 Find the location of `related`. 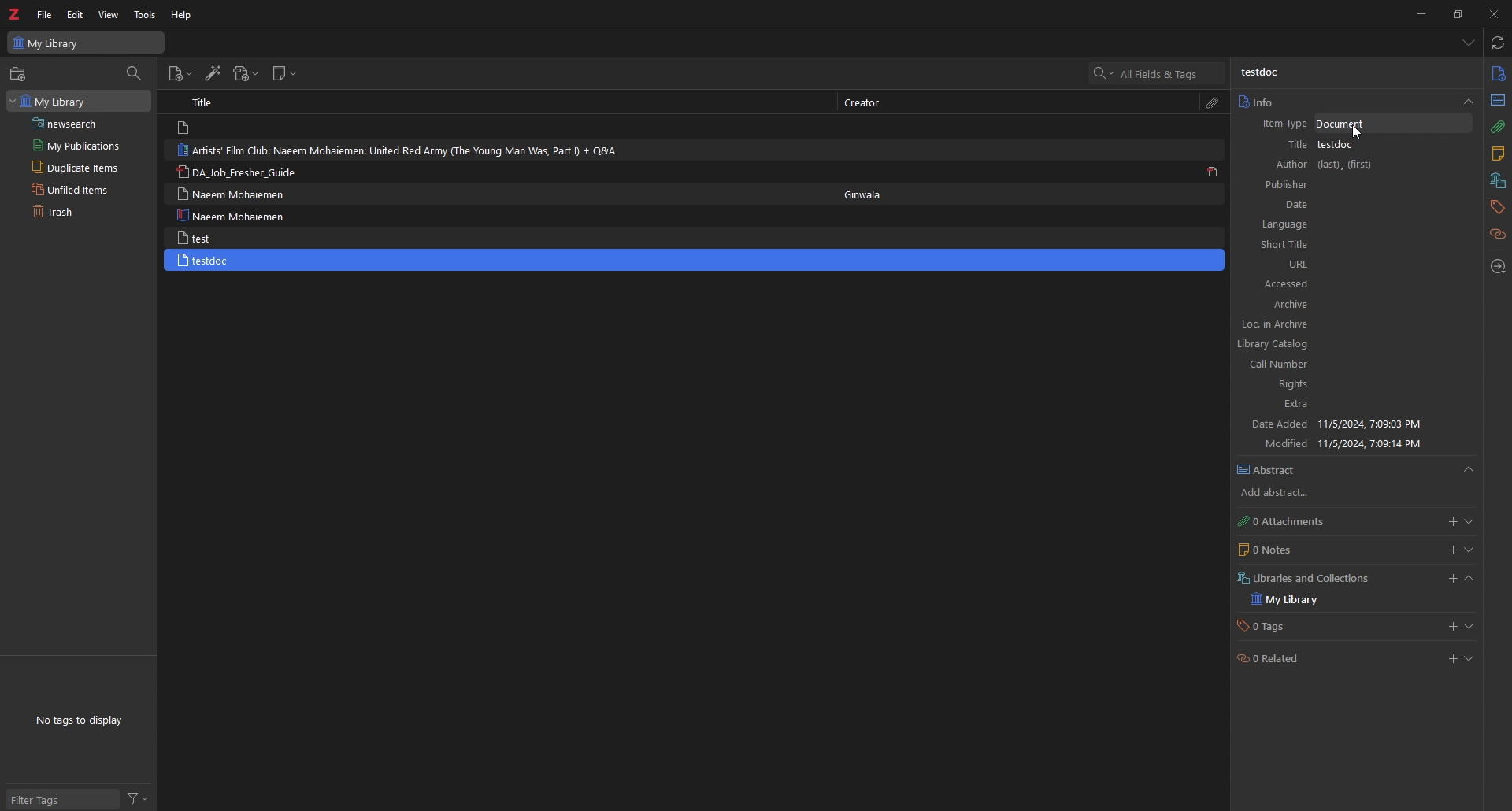

related is located at coordinates (1499, 235).